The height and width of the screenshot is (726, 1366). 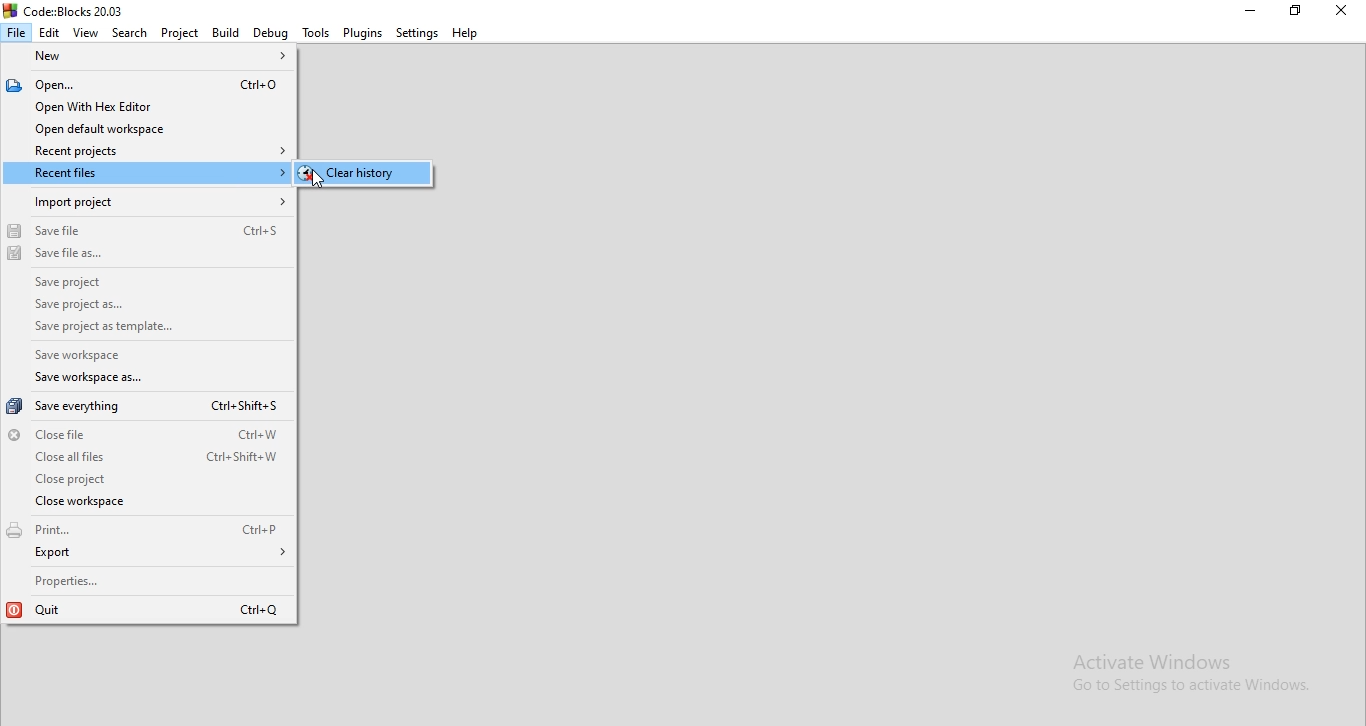 What do you see at coordinates (141, 85) in the screenshot?
I see `Open` at bounding box center [141, 85].